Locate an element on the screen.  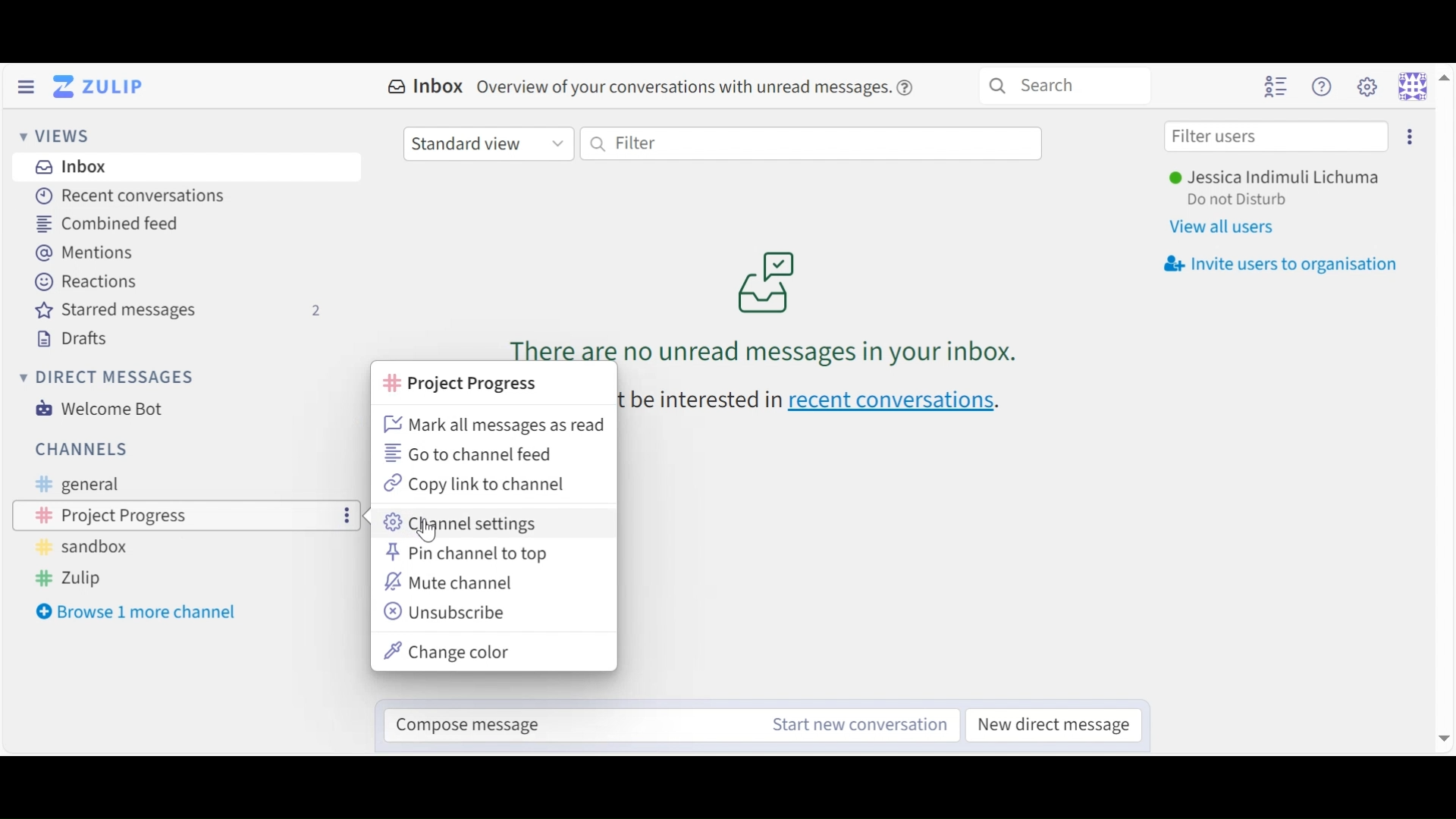
Channel settings is located at coordinates (465, 522).